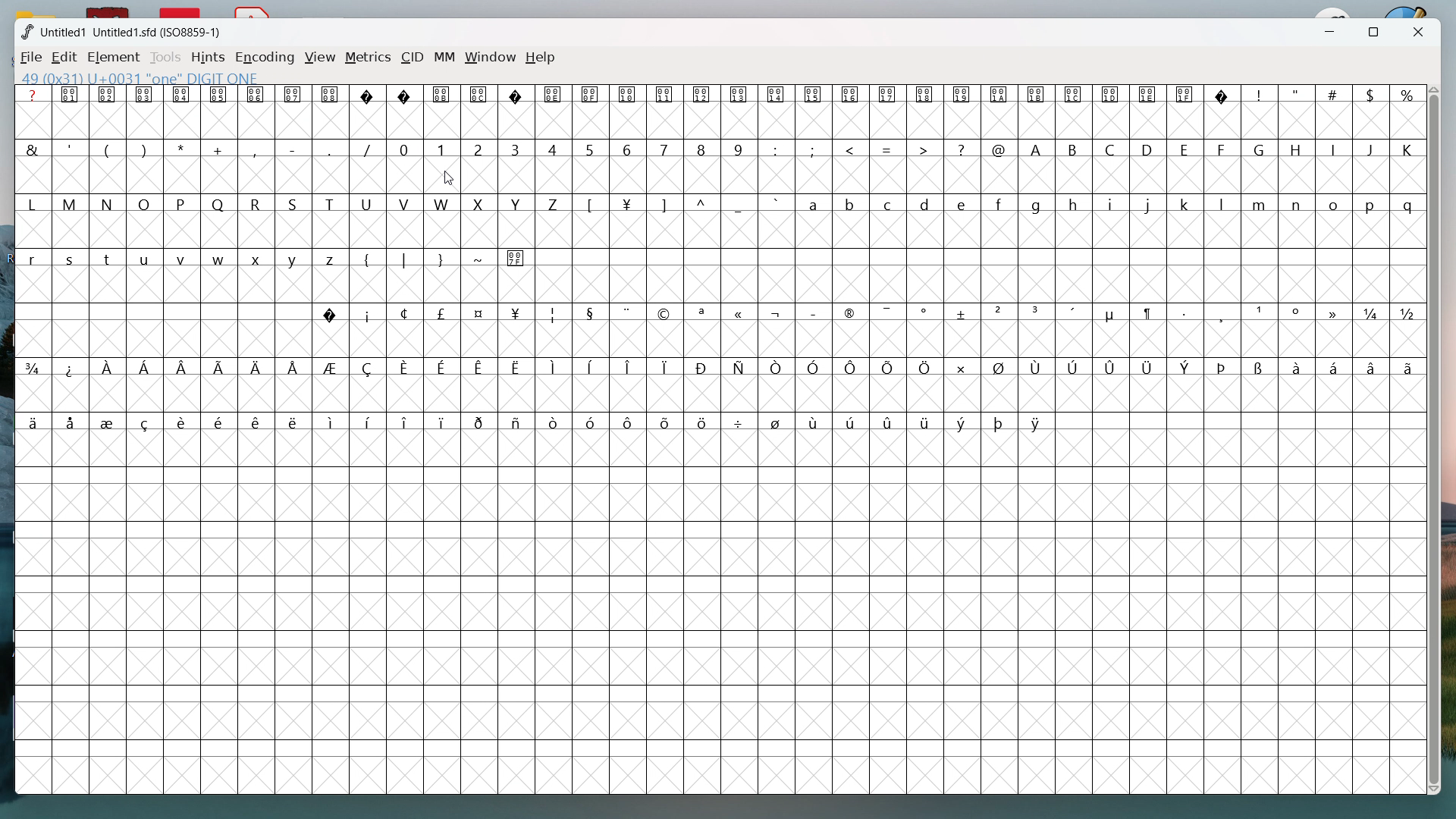 The image size is (1456, 819). What do you see at coordinates (1226, 313) in the screenshot?
I see `symbol` at bounding box center [1226, 313].